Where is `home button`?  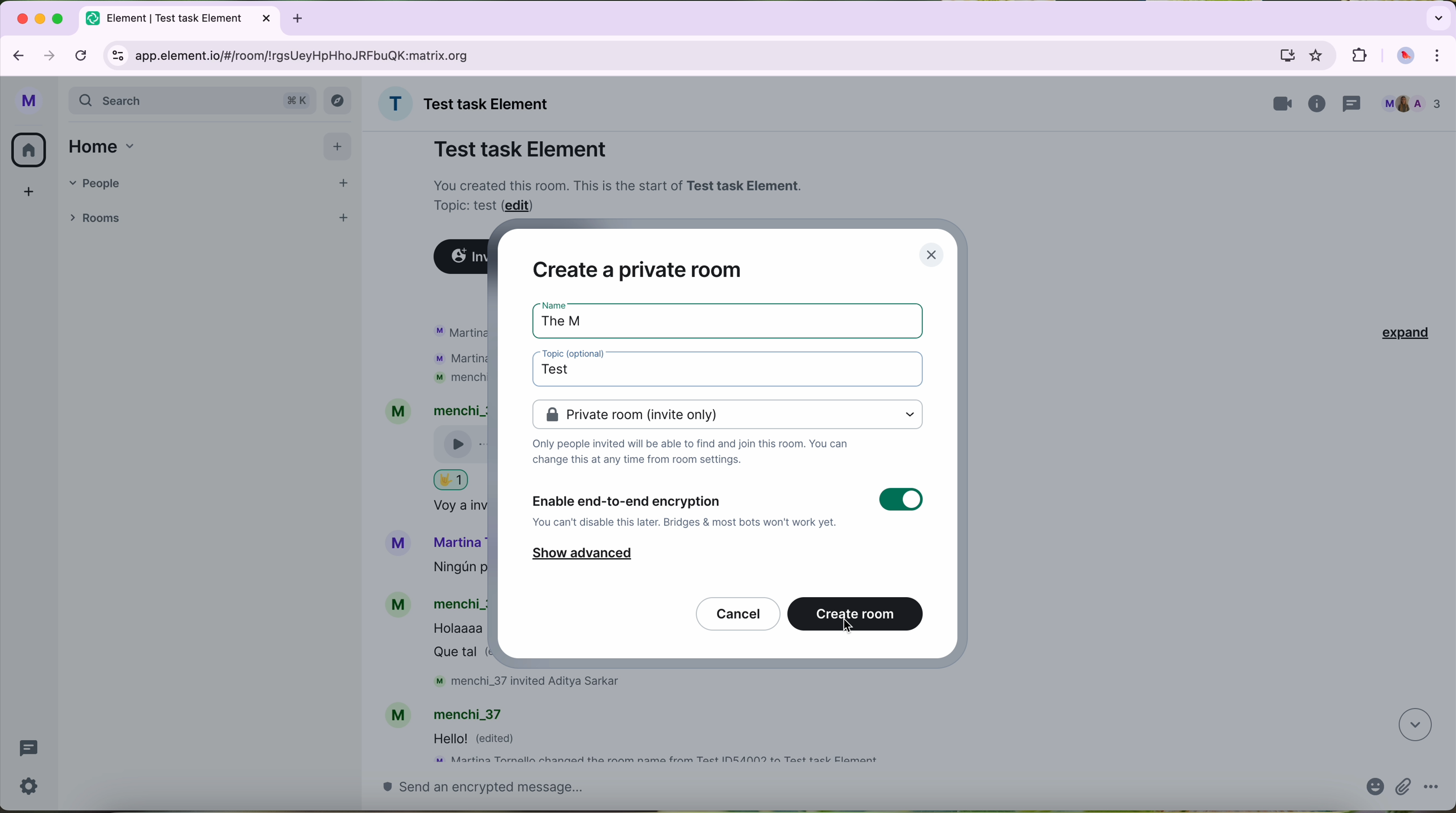 home button is located at coordinates (29, 150).